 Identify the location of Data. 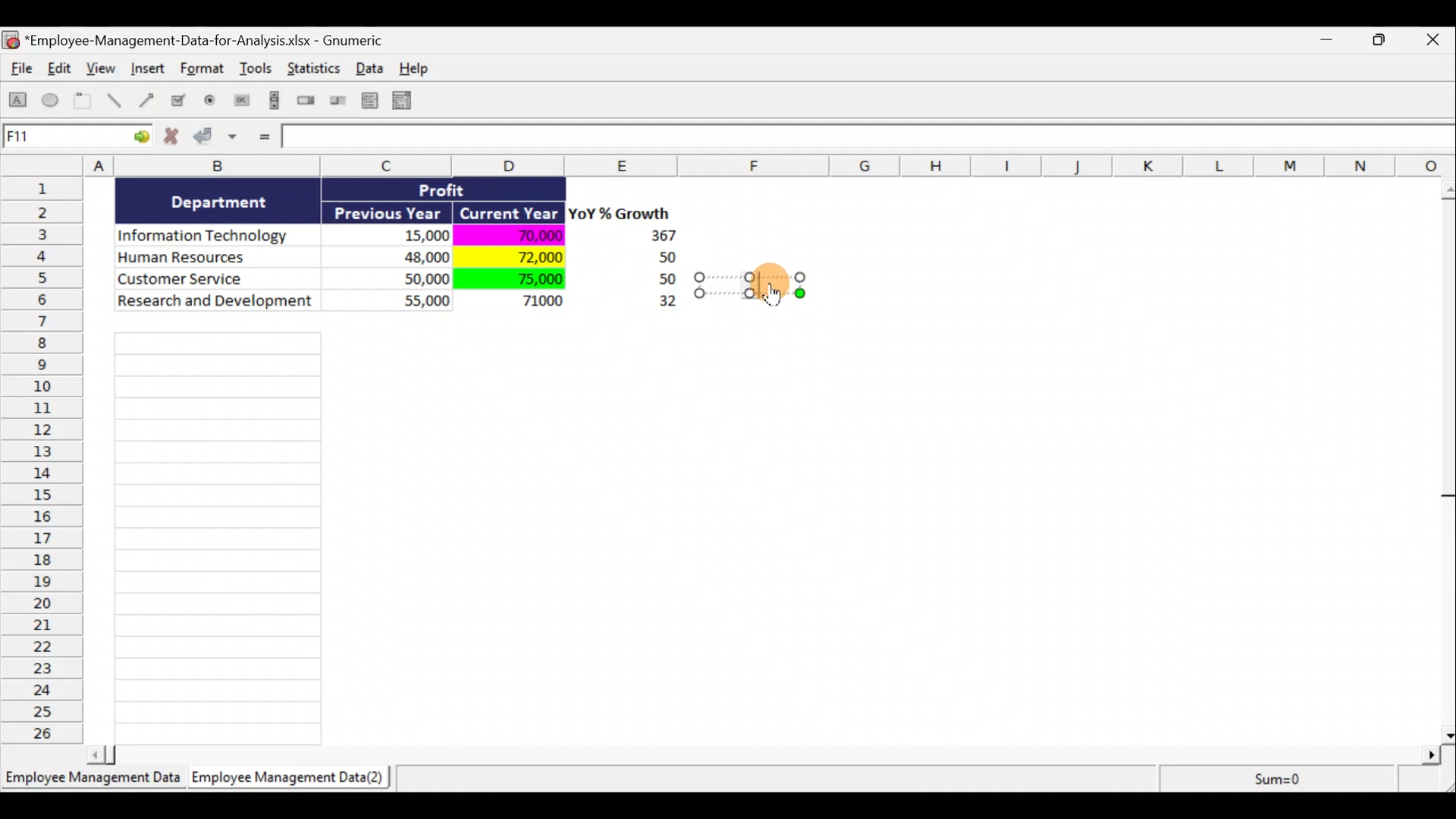
(406, 256).